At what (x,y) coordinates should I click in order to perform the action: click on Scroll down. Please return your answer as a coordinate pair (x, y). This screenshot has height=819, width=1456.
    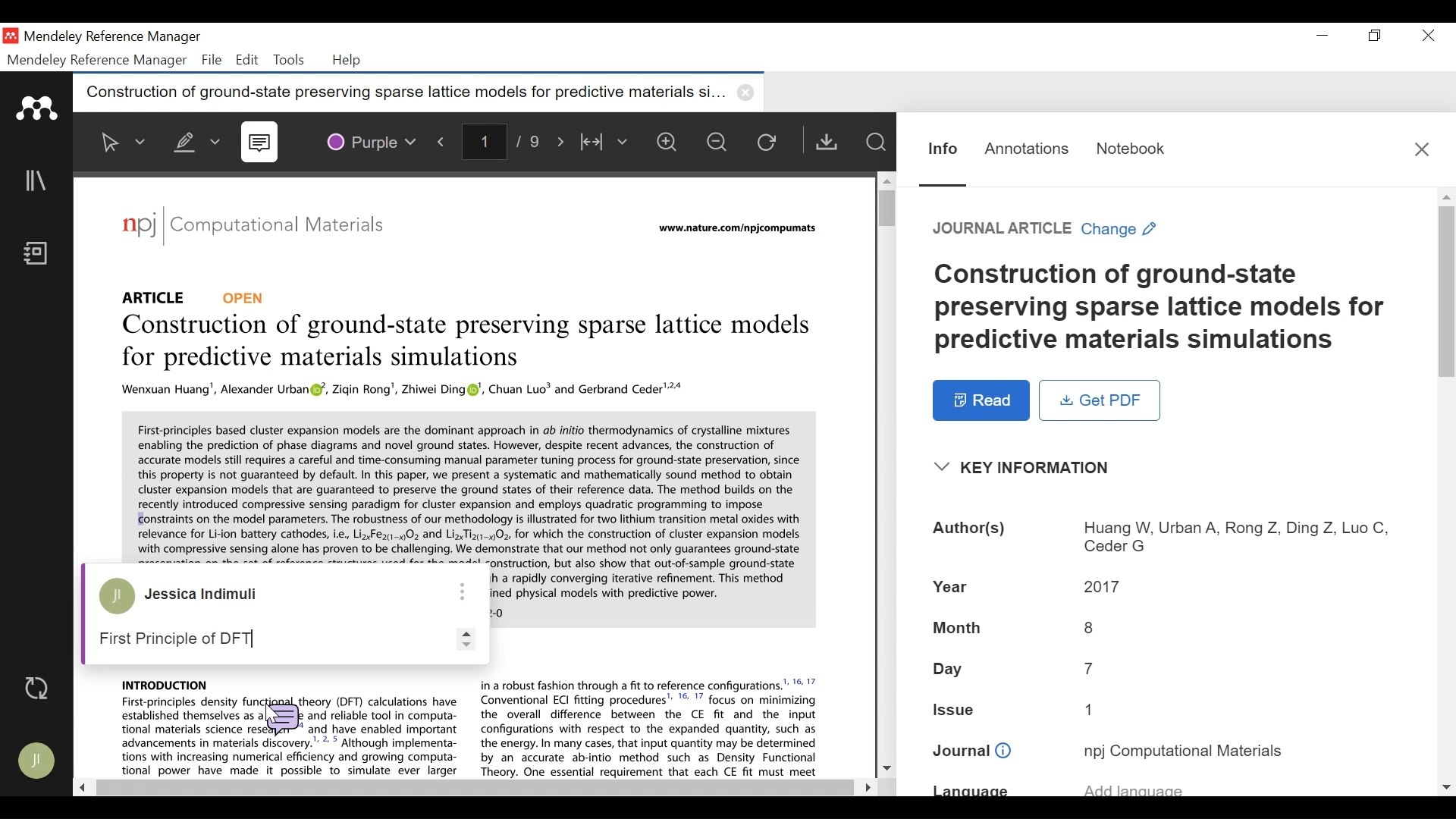
    Looking at the image, I should click on (1447, 788).